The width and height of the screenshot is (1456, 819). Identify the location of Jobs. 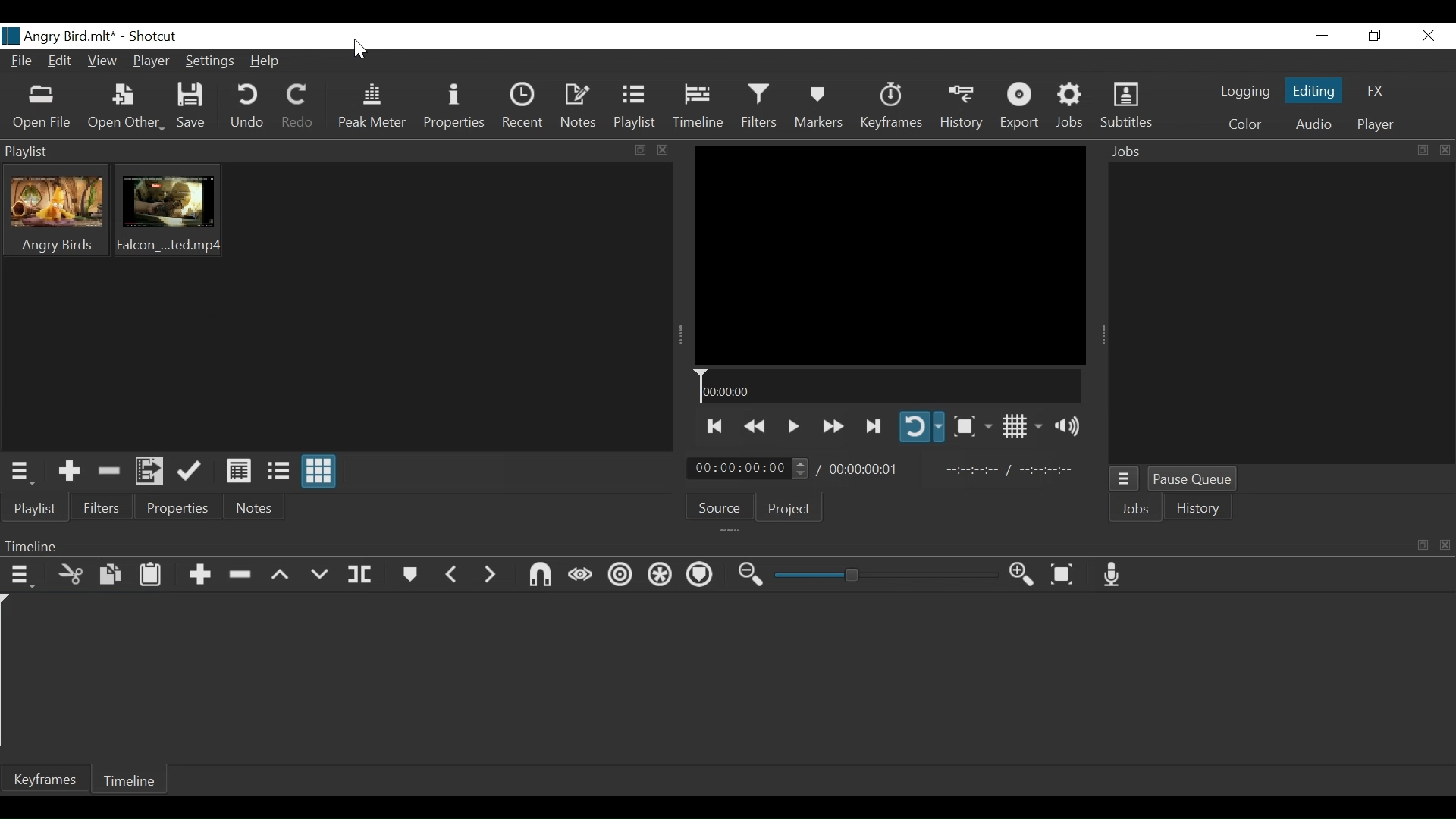
(1135, 509).